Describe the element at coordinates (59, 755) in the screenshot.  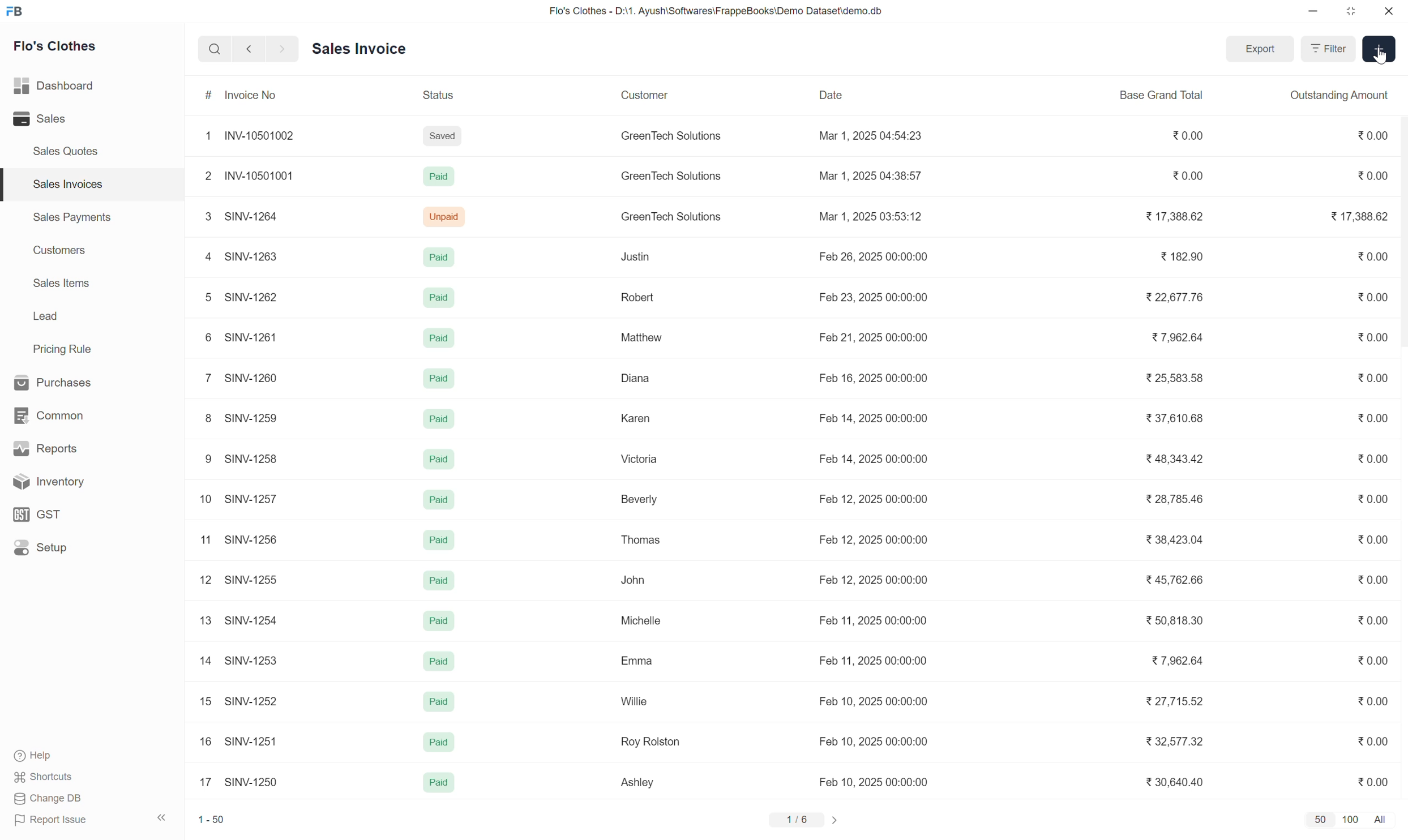
I see `Help` at that location.